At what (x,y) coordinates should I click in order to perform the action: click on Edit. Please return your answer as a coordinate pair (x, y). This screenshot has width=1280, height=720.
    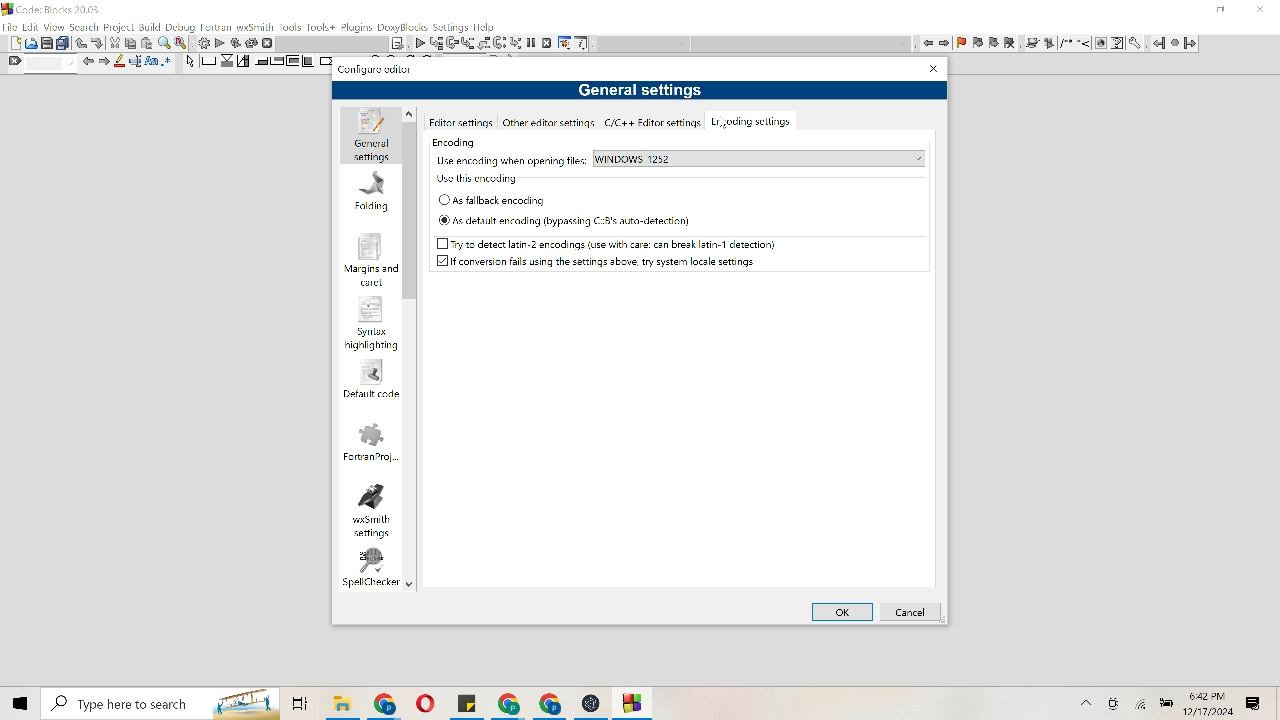
    Looking at the image, I should click on (31, 27).